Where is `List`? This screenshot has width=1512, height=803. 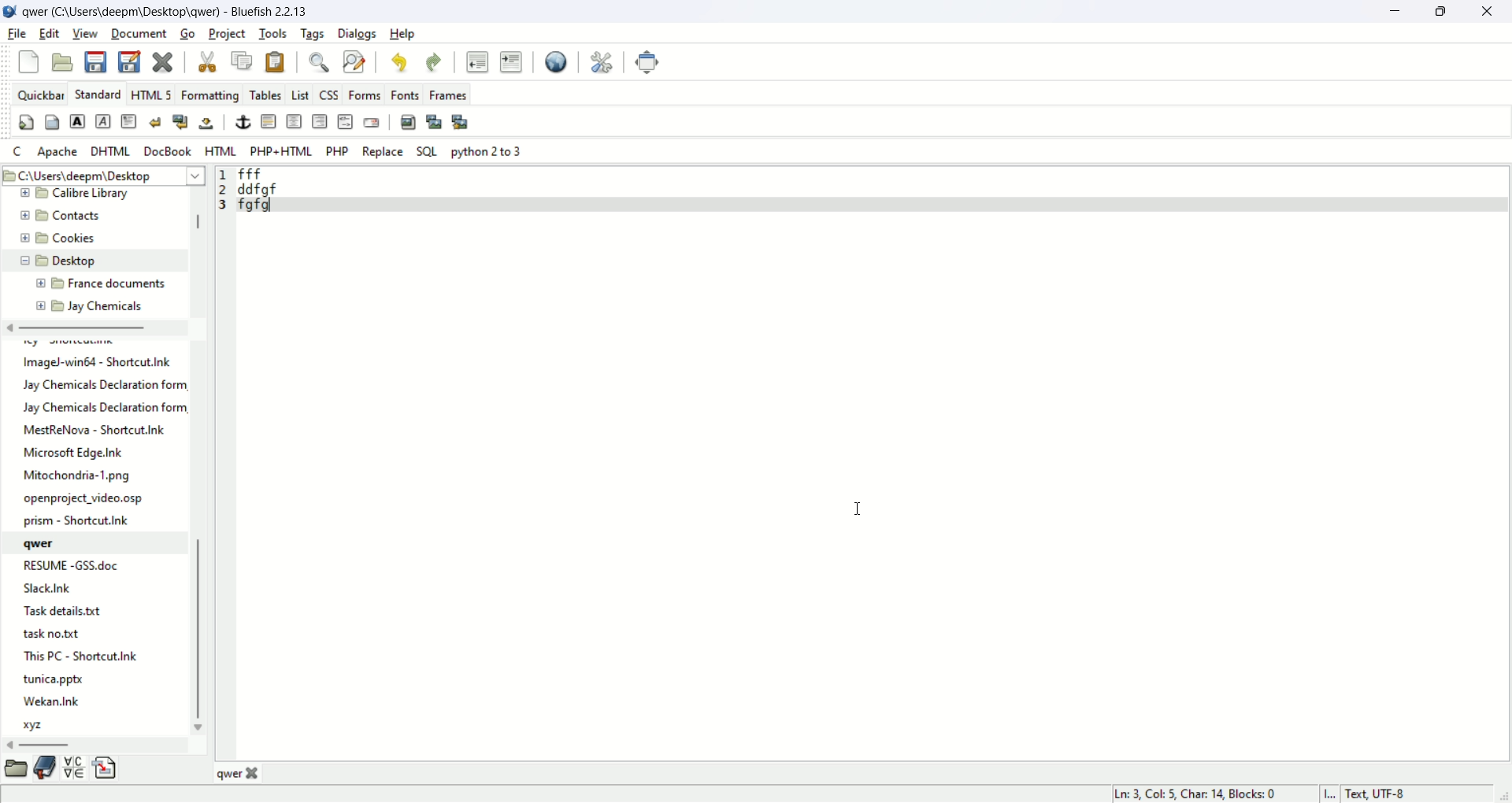
List is located at coordinates (300, 94).